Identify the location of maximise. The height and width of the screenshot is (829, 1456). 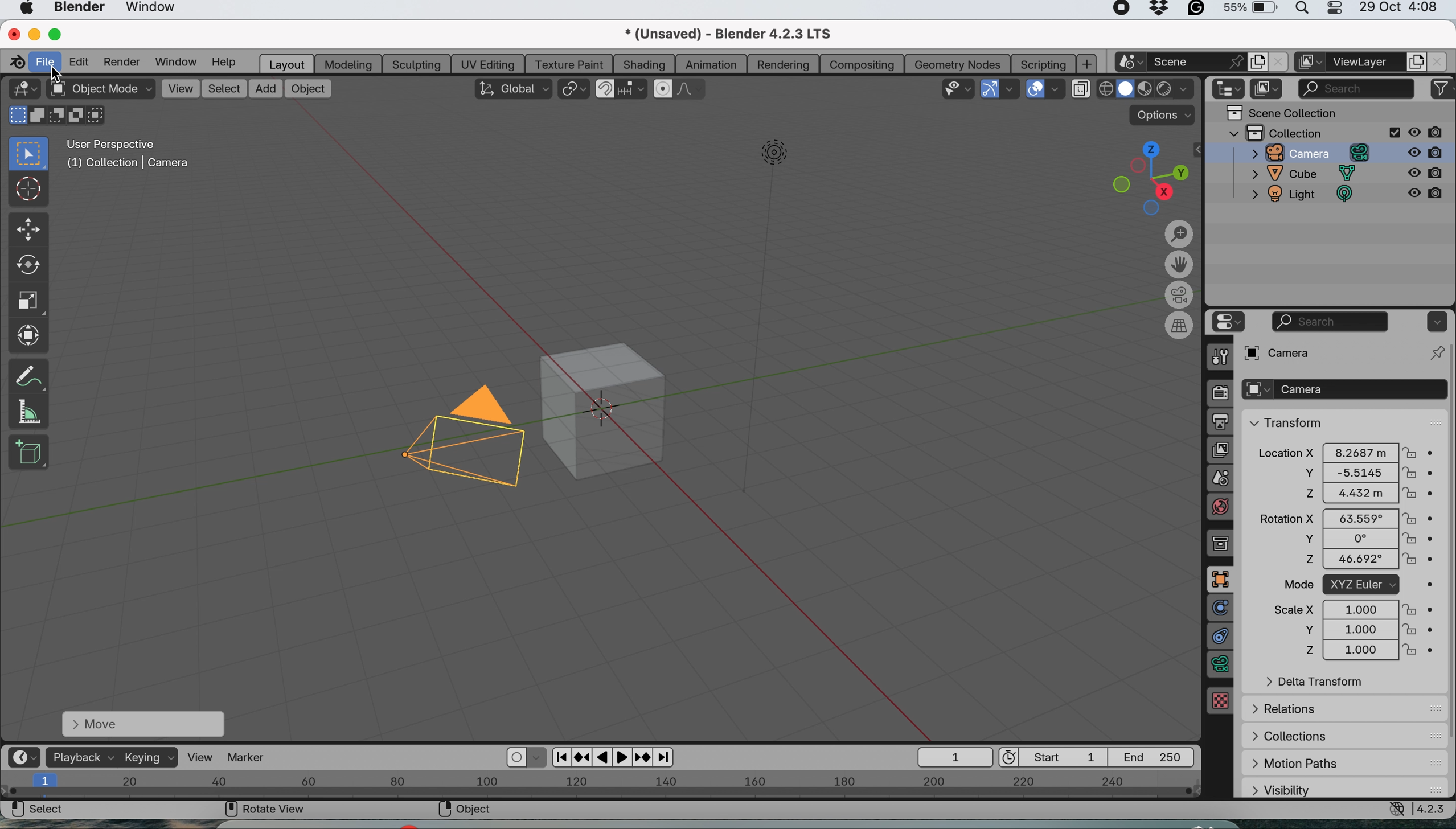
(56, 34).